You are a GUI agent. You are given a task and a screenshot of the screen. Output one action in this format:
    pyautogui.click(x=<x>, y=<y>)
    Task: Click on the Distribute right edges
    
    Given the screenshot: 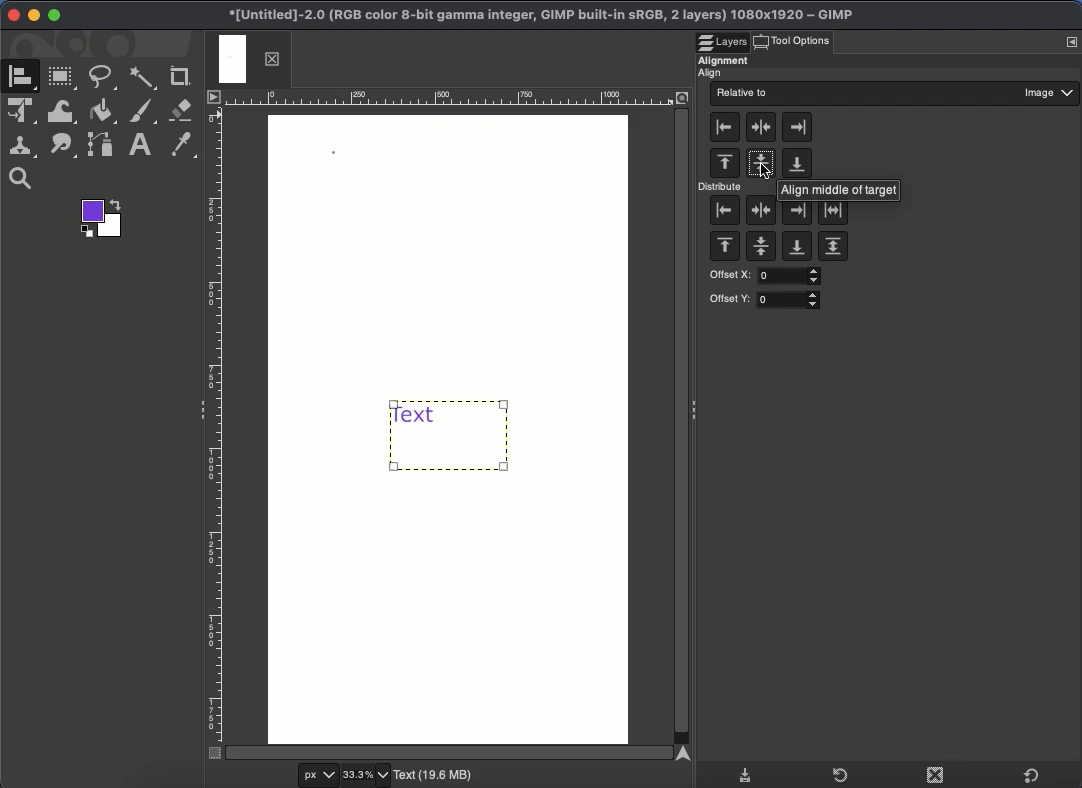 What is the action you would take?
    pyautogui.click(x=796, y=210)
    